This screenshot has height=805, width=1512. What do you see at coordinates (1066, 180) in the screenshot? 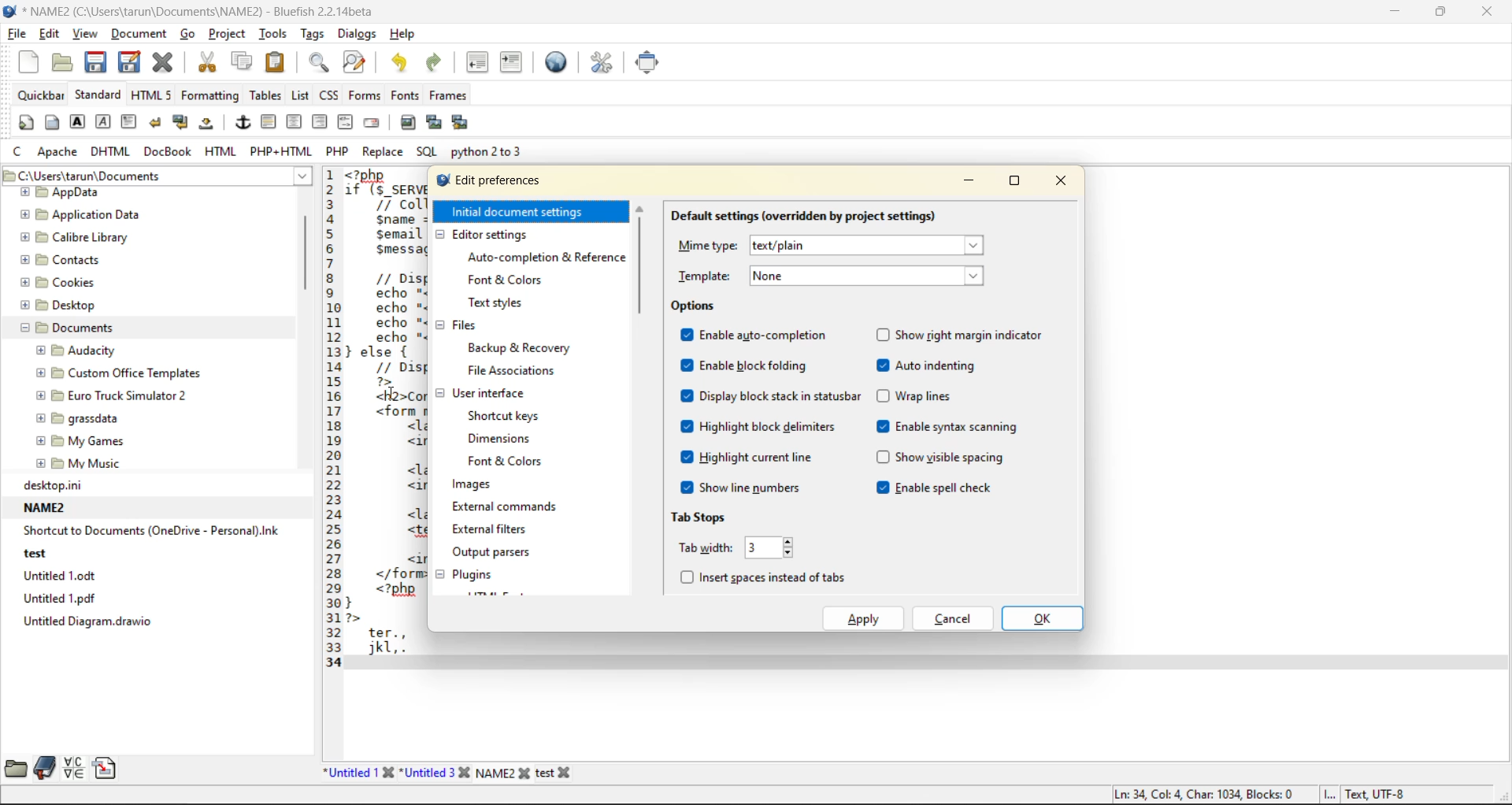
I see `close` at bounding box center [1066, 180].